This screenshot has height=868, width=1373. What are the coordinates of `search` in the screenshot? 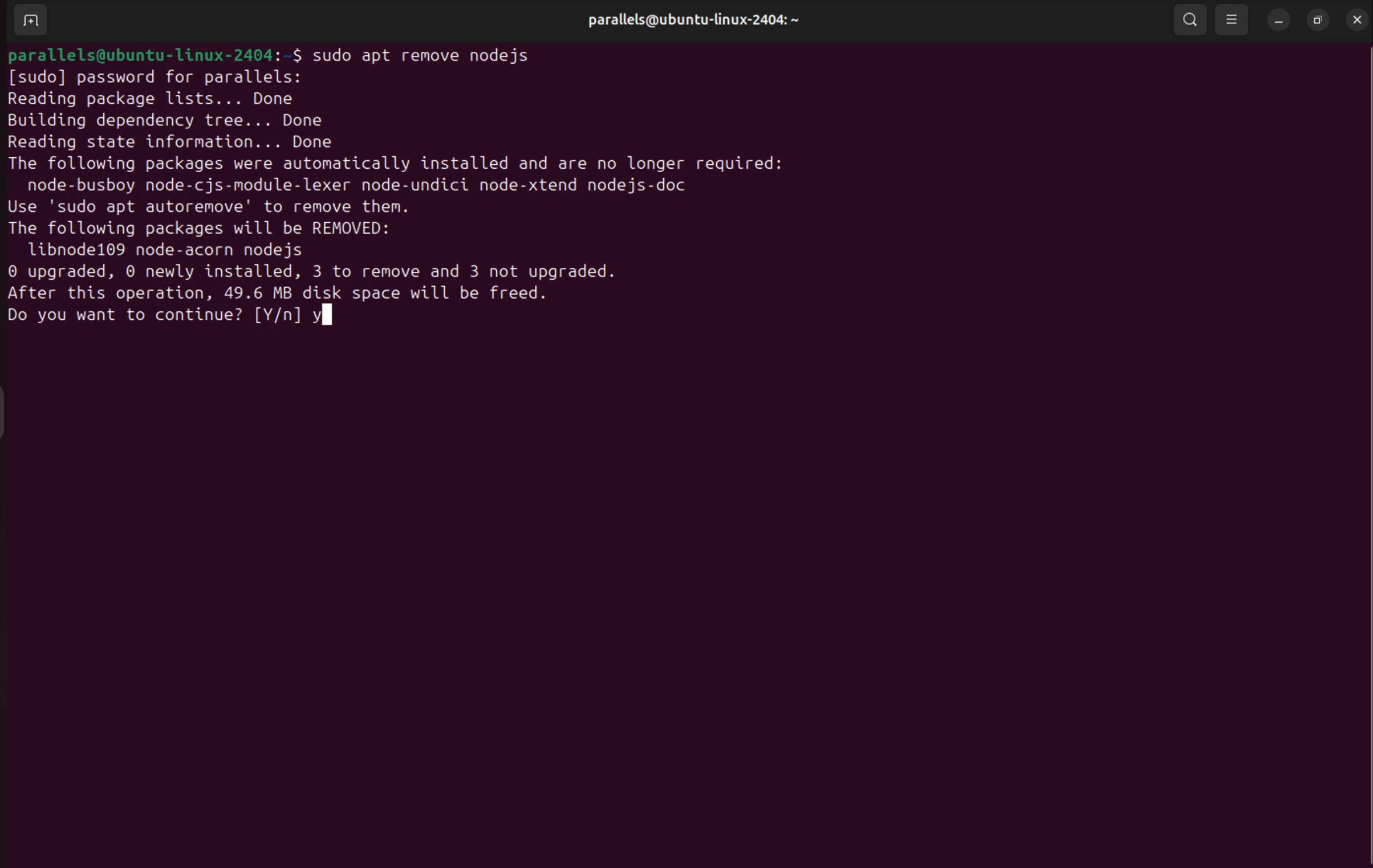 It's located at (1191, 20).